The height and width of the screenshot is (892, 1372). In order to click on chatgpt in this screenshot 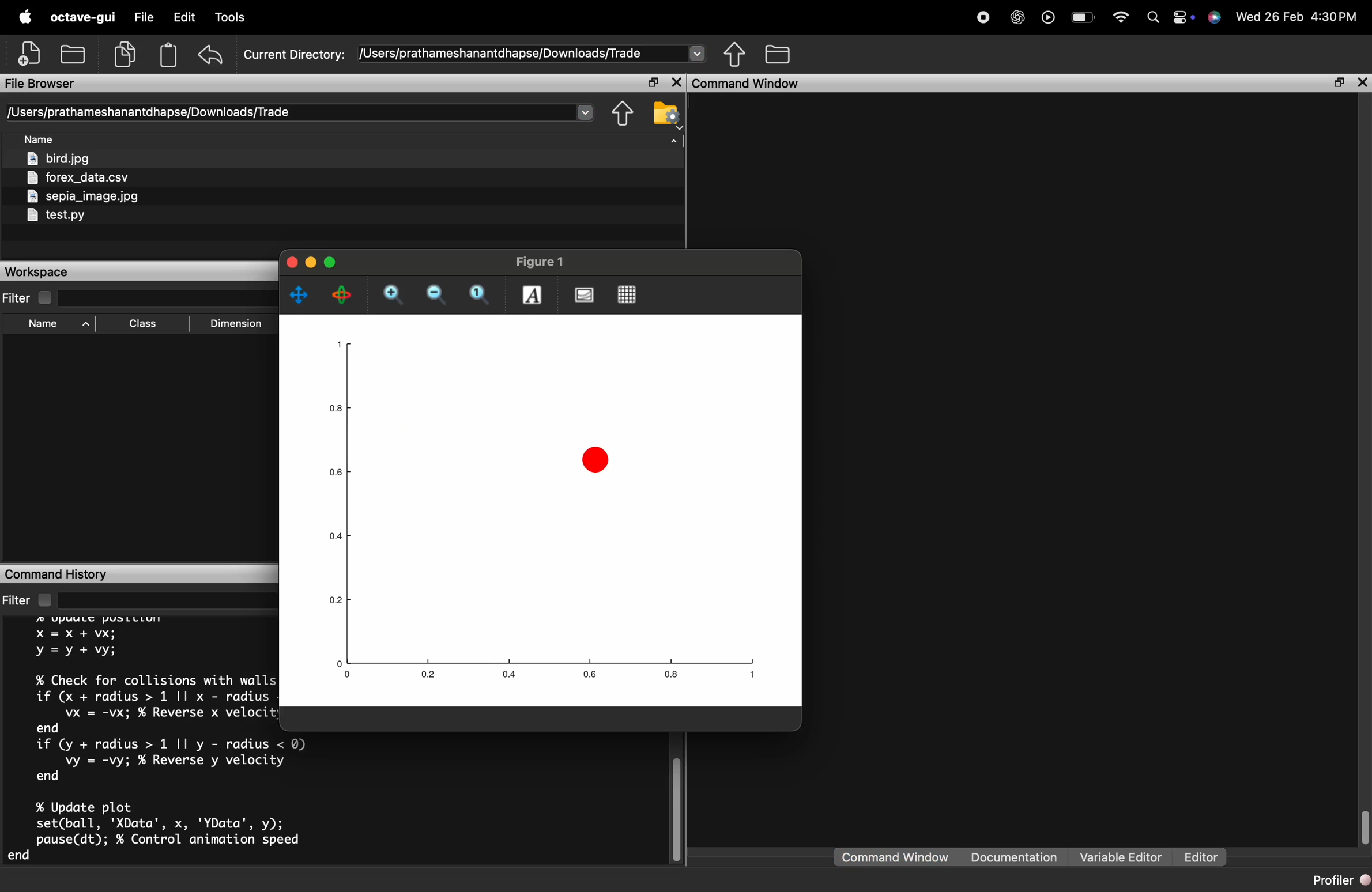, I will do `click(1018, 17)`.